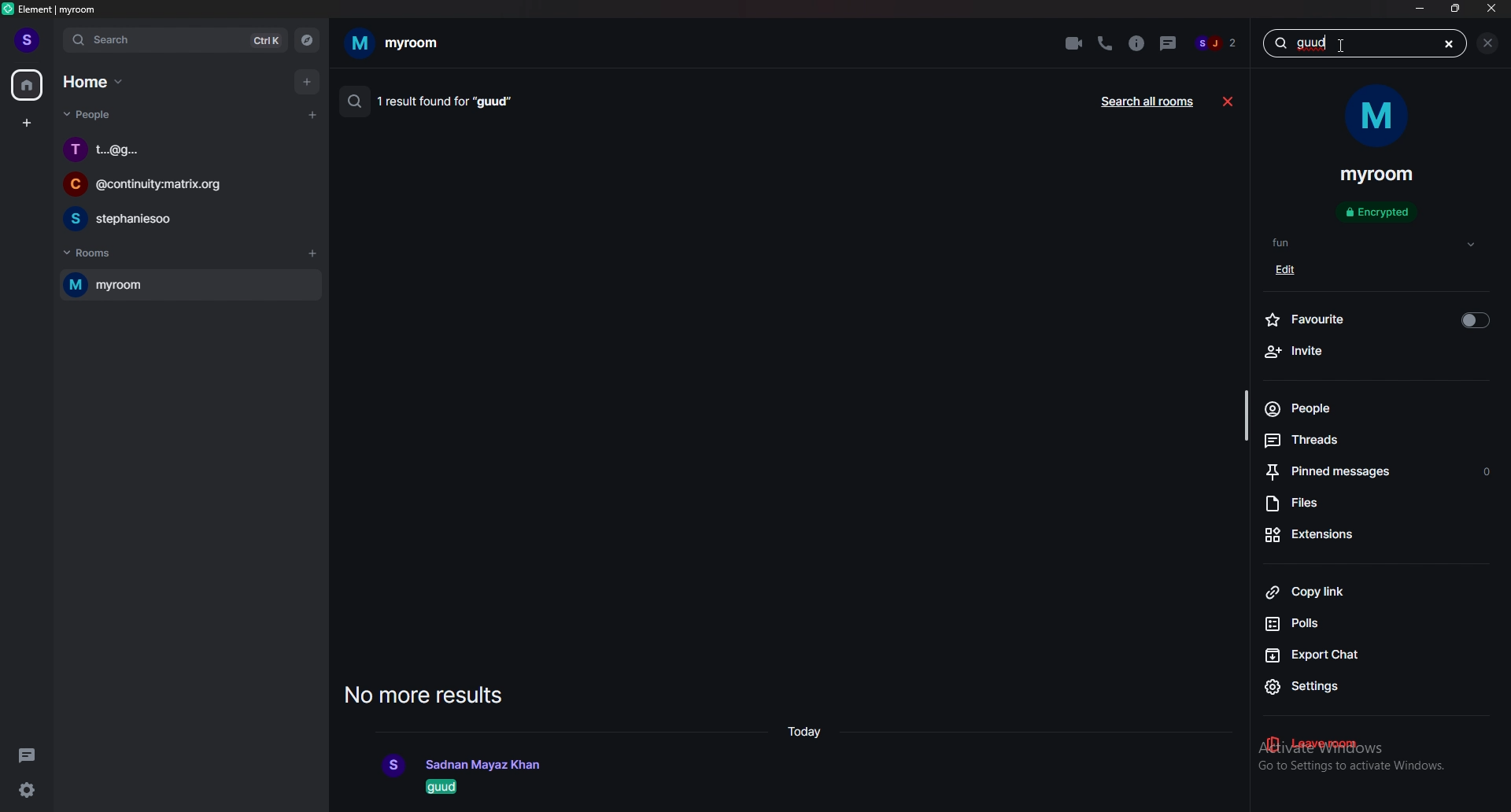 Image resolution: width=1511 pixels, height=812 pixels. What do you see at coordinates (470, 774) in the screenshot?
I see `result` at bounding box center [470, 774].